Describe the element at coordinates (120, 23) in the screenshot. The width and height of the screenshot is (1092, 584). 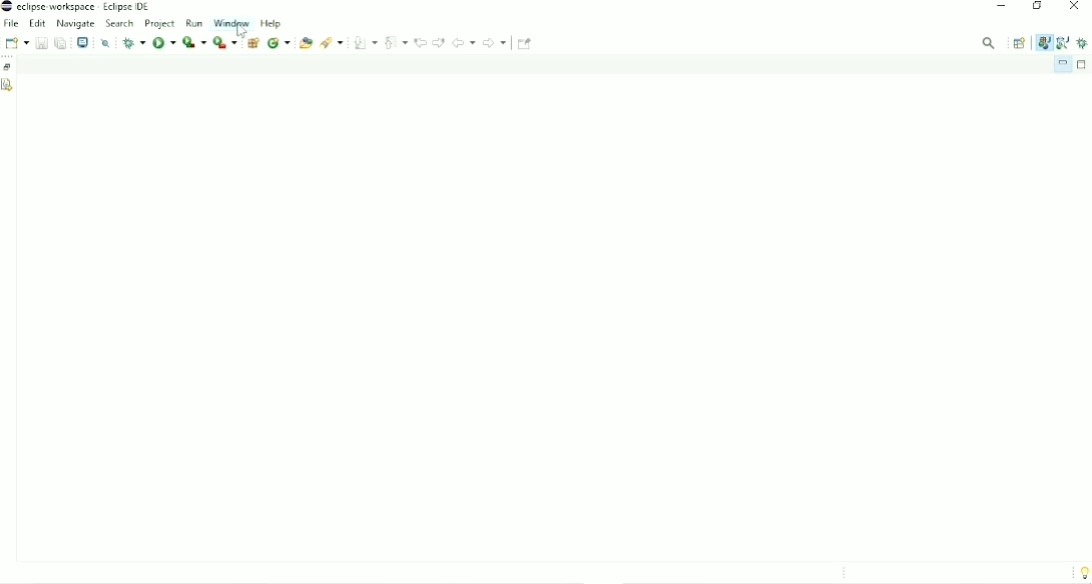
I see `Search` at that location.